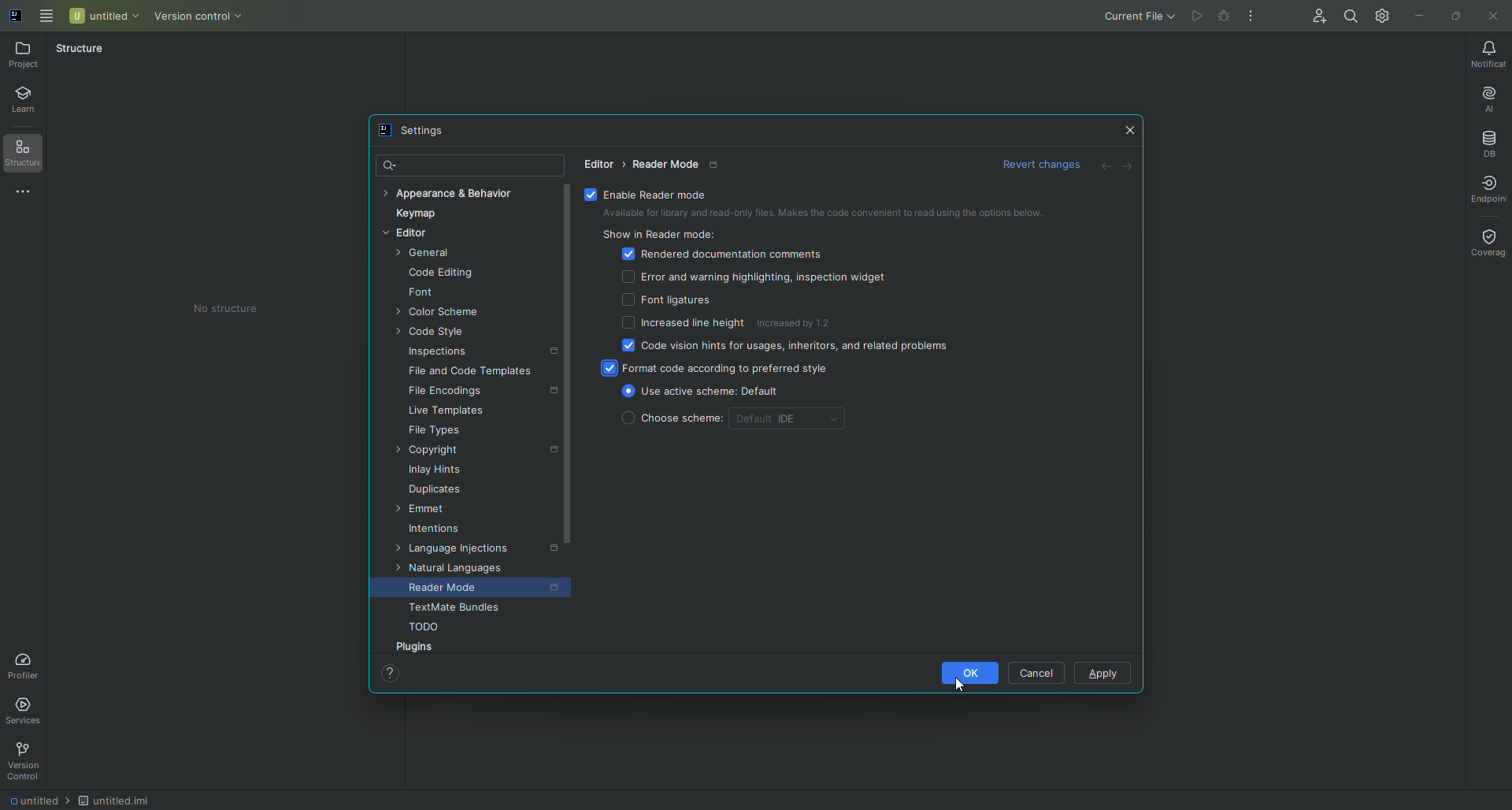 The height and width of the screenshot is (810, 1512). Describe the element at coordinates (1225, 15) in the screenshot. I see `Cannot run file` at that location.